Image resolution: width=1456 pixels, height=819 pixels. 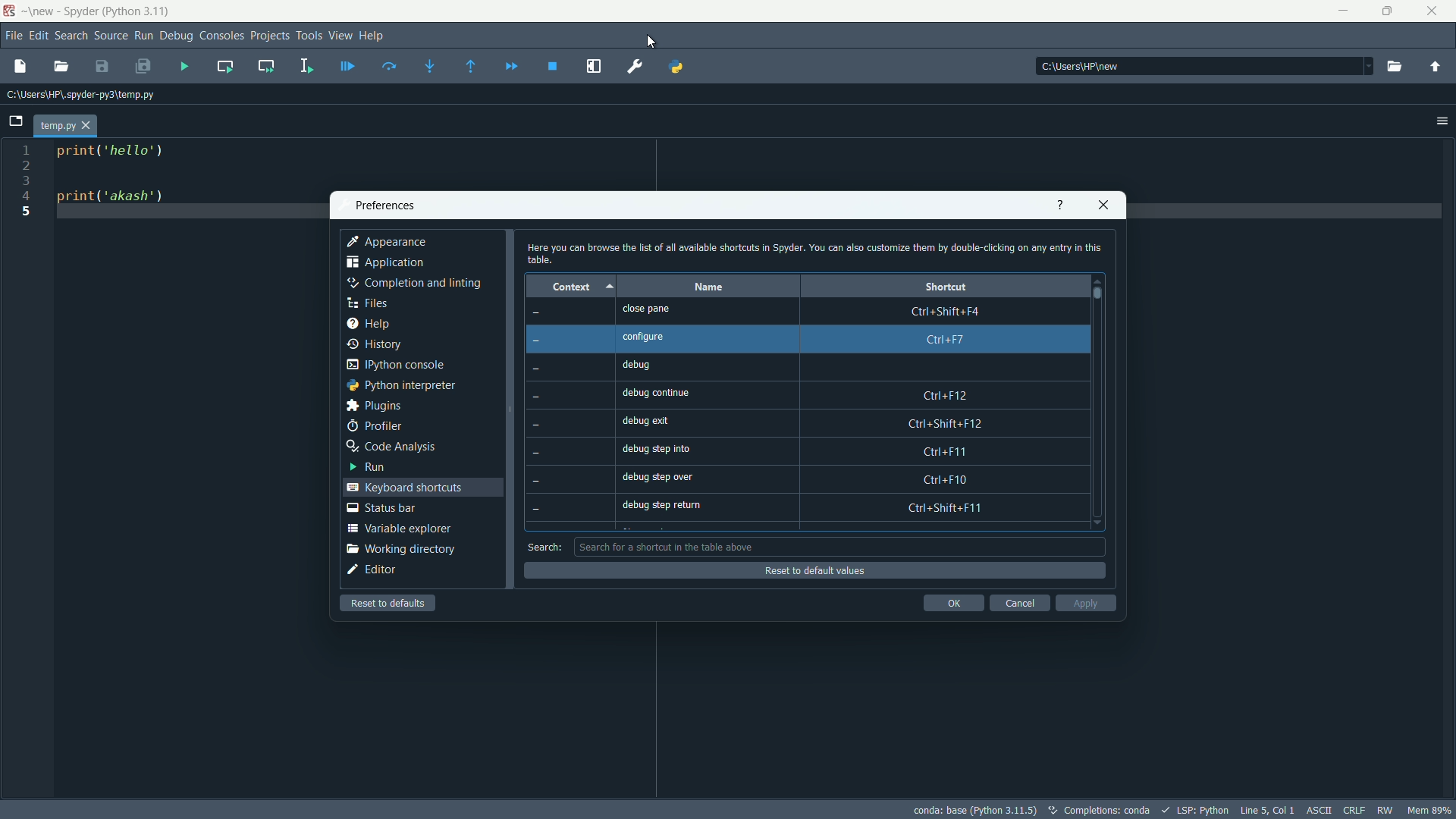 I want to click on code editor - print('hello') print ('akash'), so click(x=107, y=180).